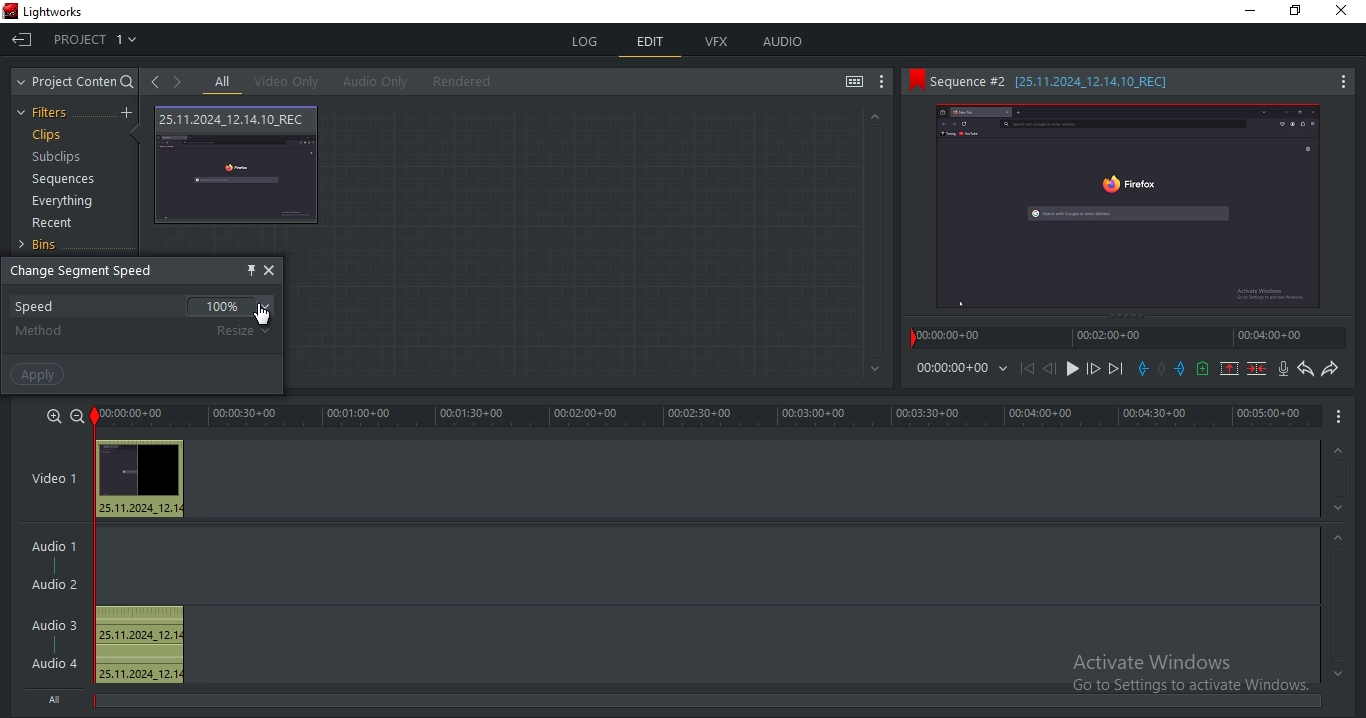  I want to click on close, so click(1346, 12).